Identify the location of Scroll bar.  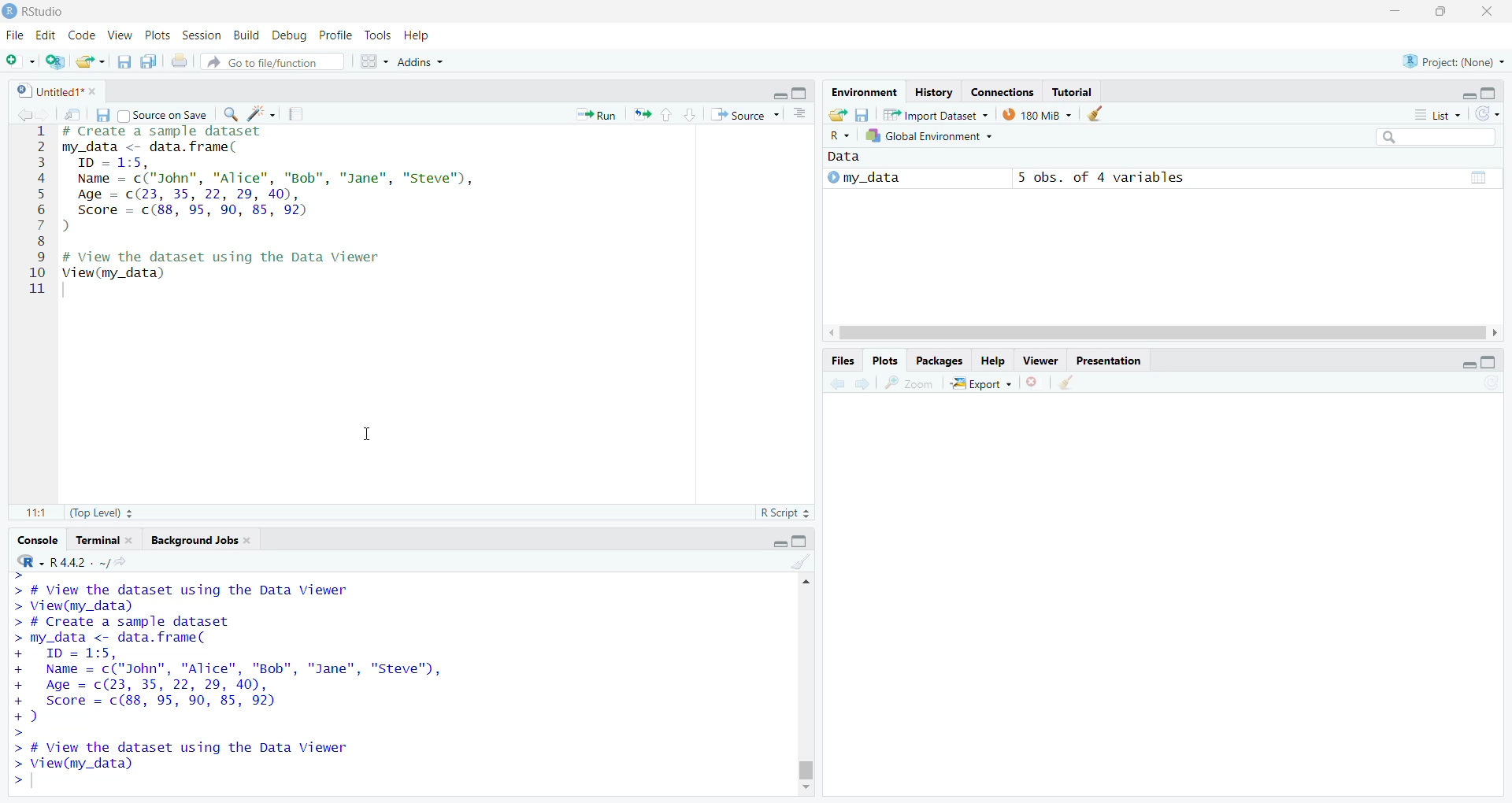
(1165, 333).